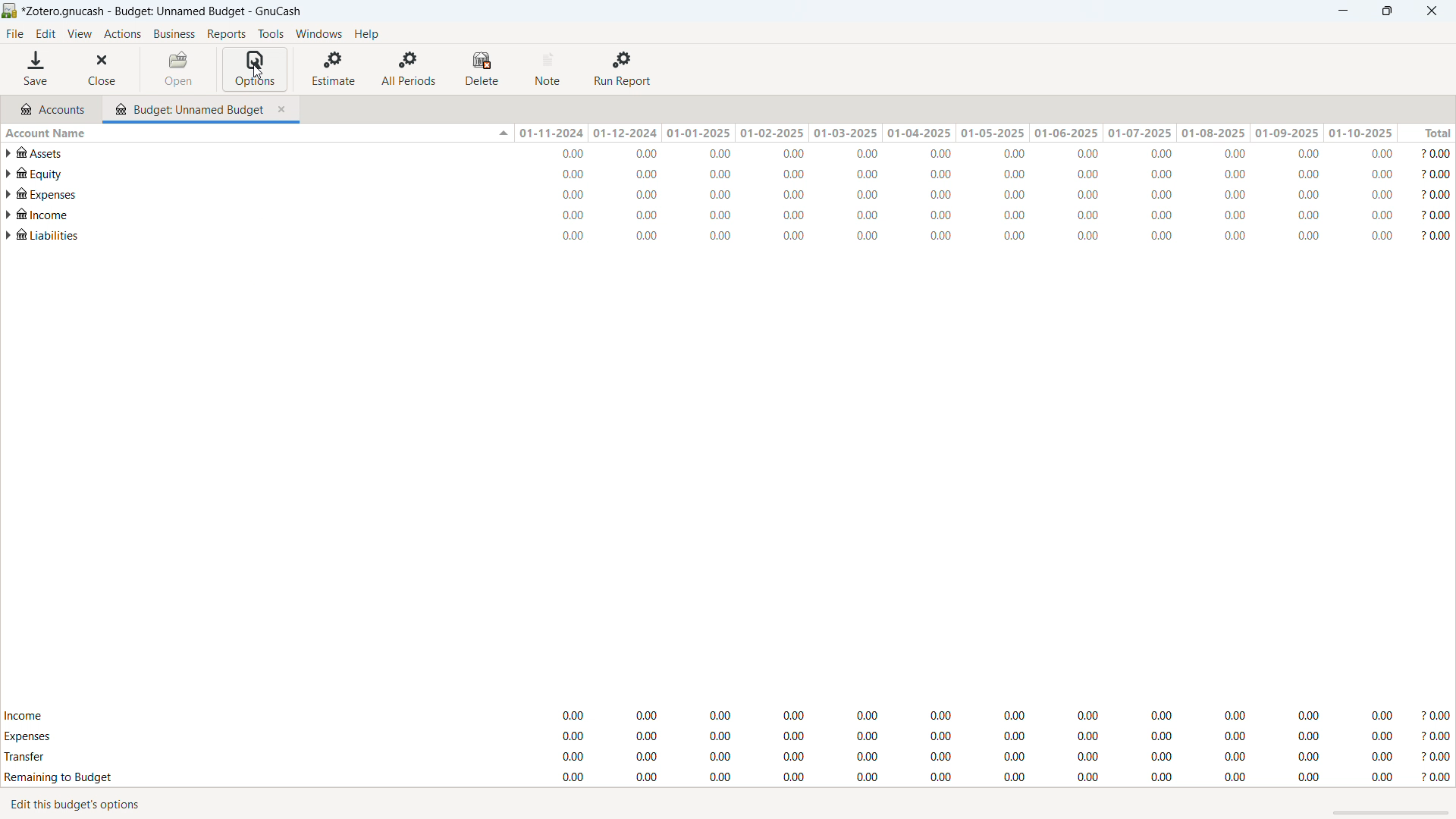 The width and height of the screenshot is (1456, 819). I want to click on save, so click(37, 69).